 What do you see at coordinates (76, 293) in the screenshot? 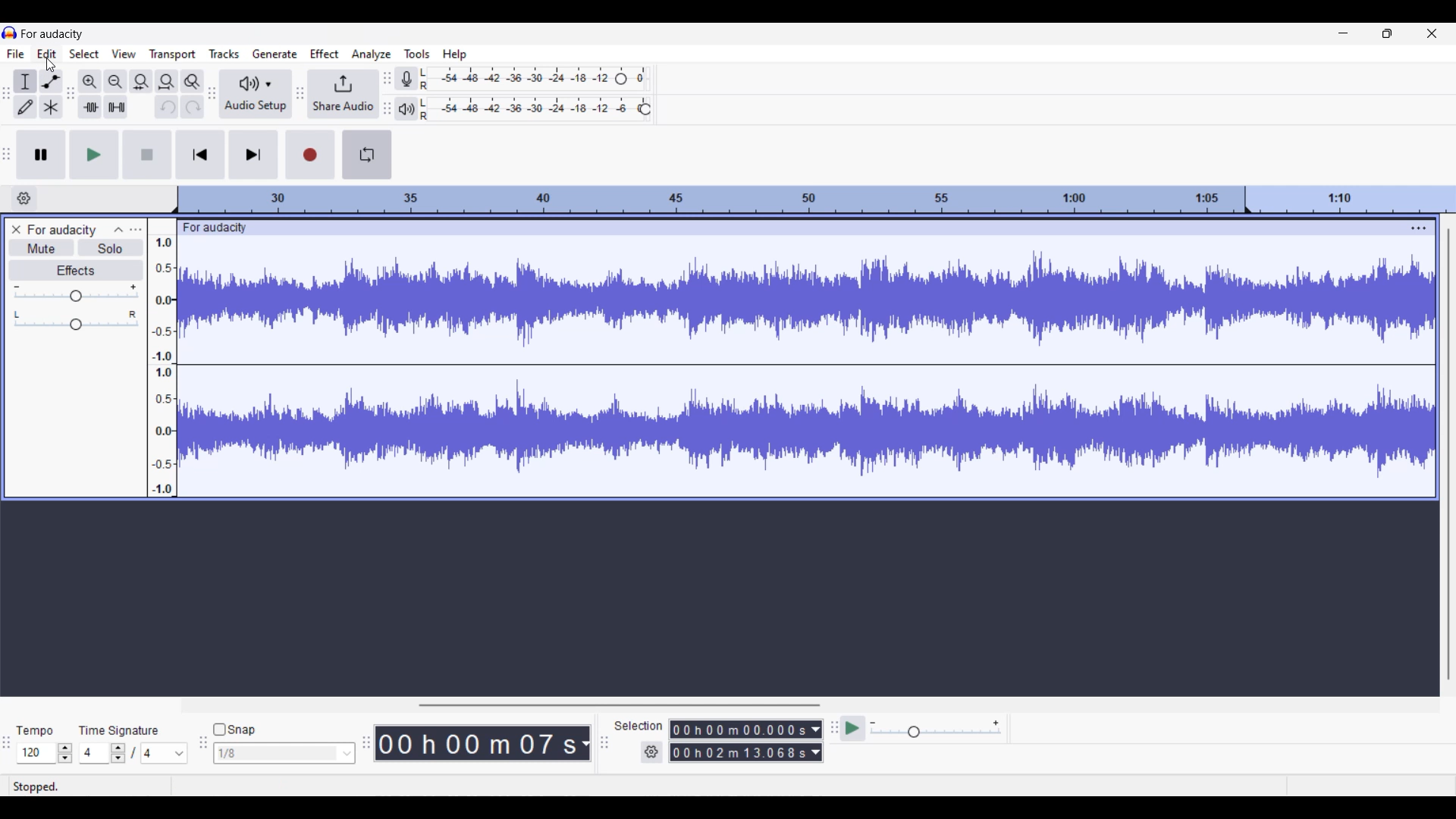
I see `Volume scale` at bounding box center [76, 293].